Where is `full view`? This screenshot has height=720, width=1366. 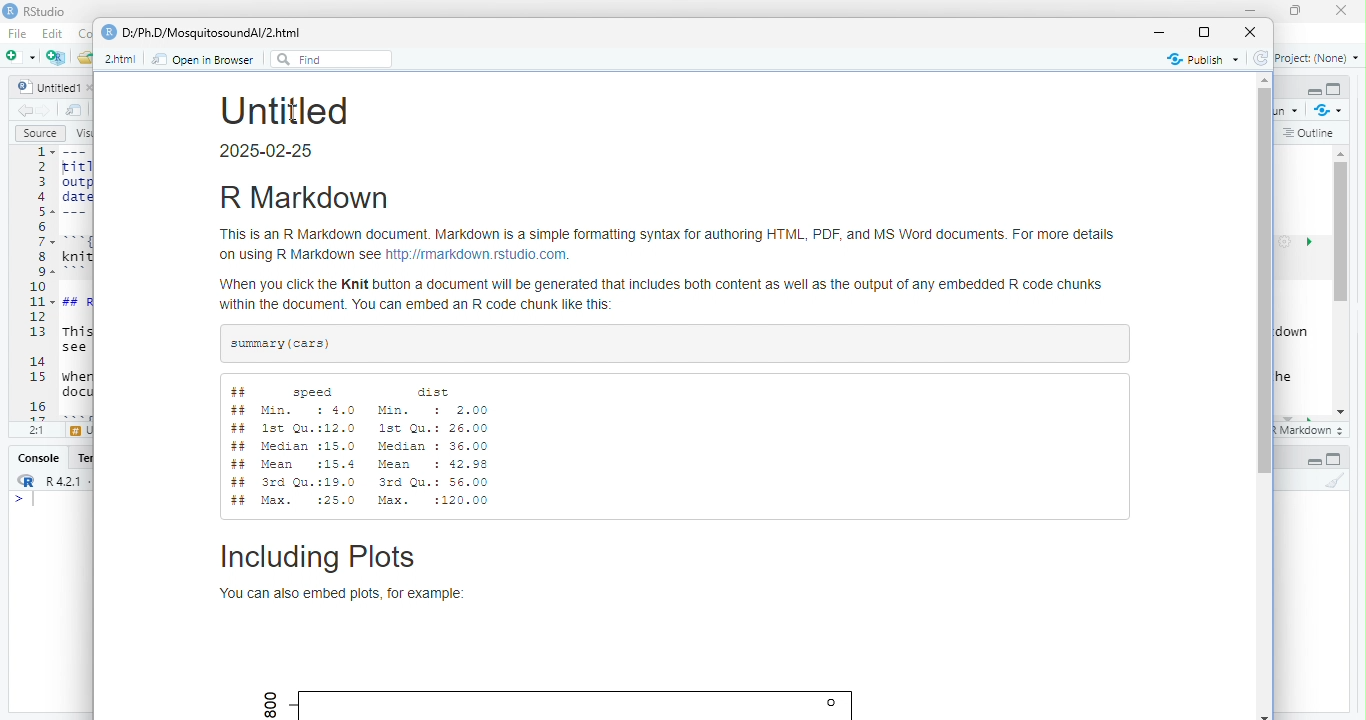
full view is located at coordinates (1334, 459).